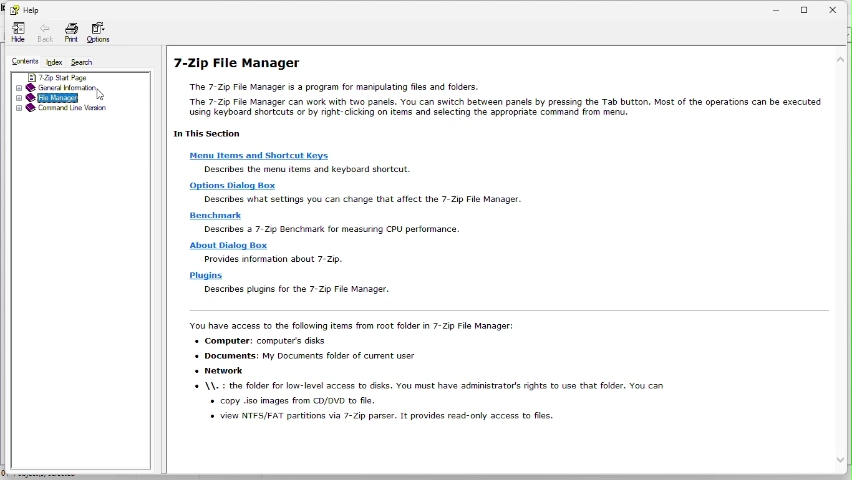 This screenshot has width=852, height=480. Describe the element at coordinates (838, 7) in the screenshot. I see `close` at that location.